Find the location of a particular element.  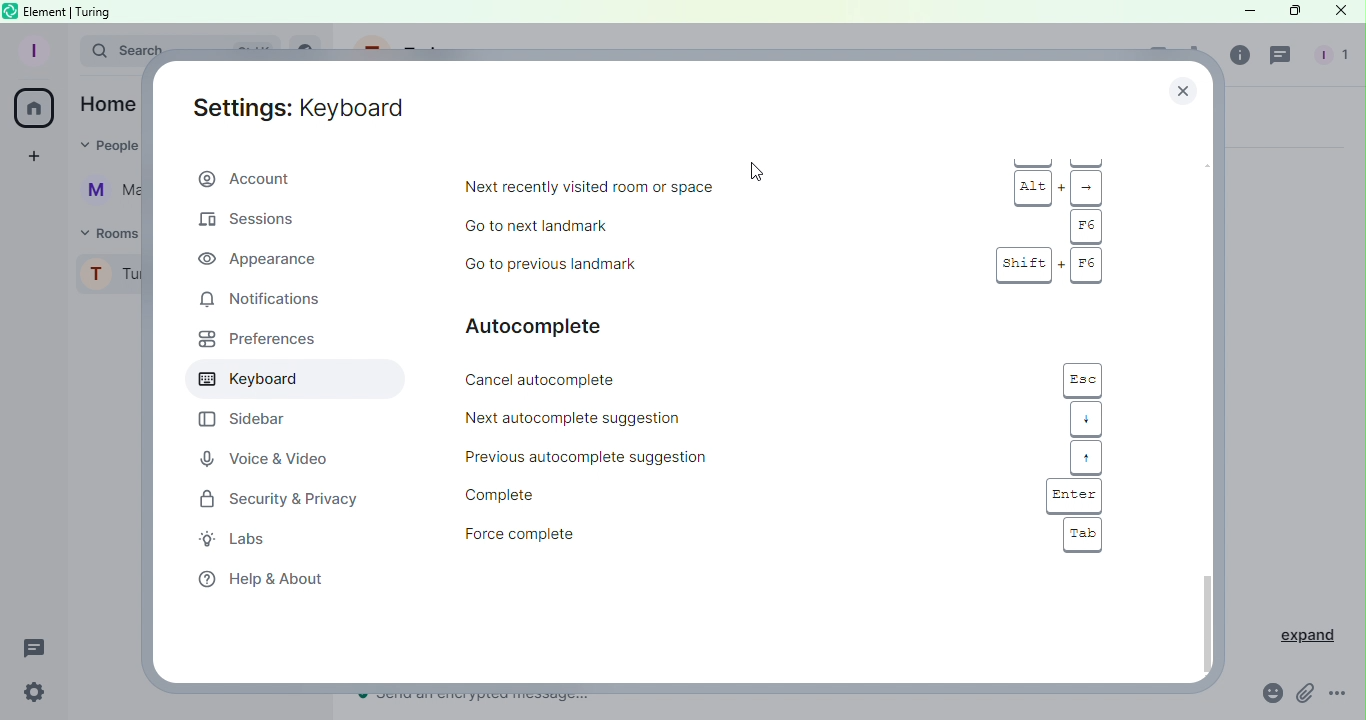

Rooms is located at coordinates (100, 233).